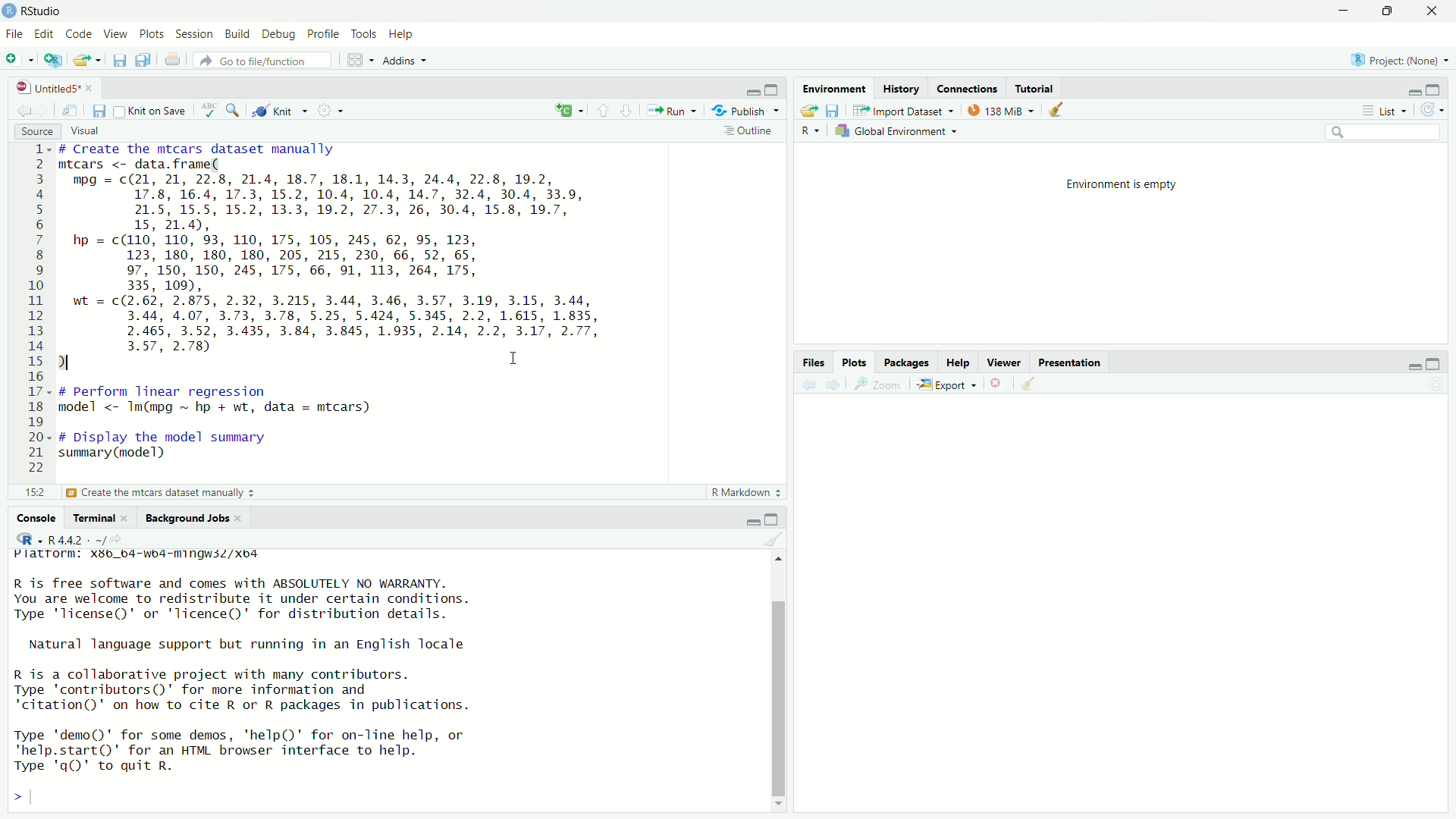 The height and width of the screenshot is (819, 1456). What do you see at coordinates (243, 662) in the screenshot?
I see `Platrorm: X3b_b4-wb4-mingwsZ/Xo4

R is free software and comes with ABSOLUTELY NO WARRANTY.

You are welcome to redistribute it under certain conditions.

Type 'license()' or 'licence()' for distribution details.
Natural language support but running in an English locale

R is a collaborative project with many contributors.

Type 'contributors()' for more information and

"citation()' on how to cite R or R packages in publications.

Type 'demo()' for some demos, ‘help()' for on-Tine help, or

'help.start()' for an HTML browser interface to help.

Type 'q()' to quit R.` at bounding box center [243, 662].